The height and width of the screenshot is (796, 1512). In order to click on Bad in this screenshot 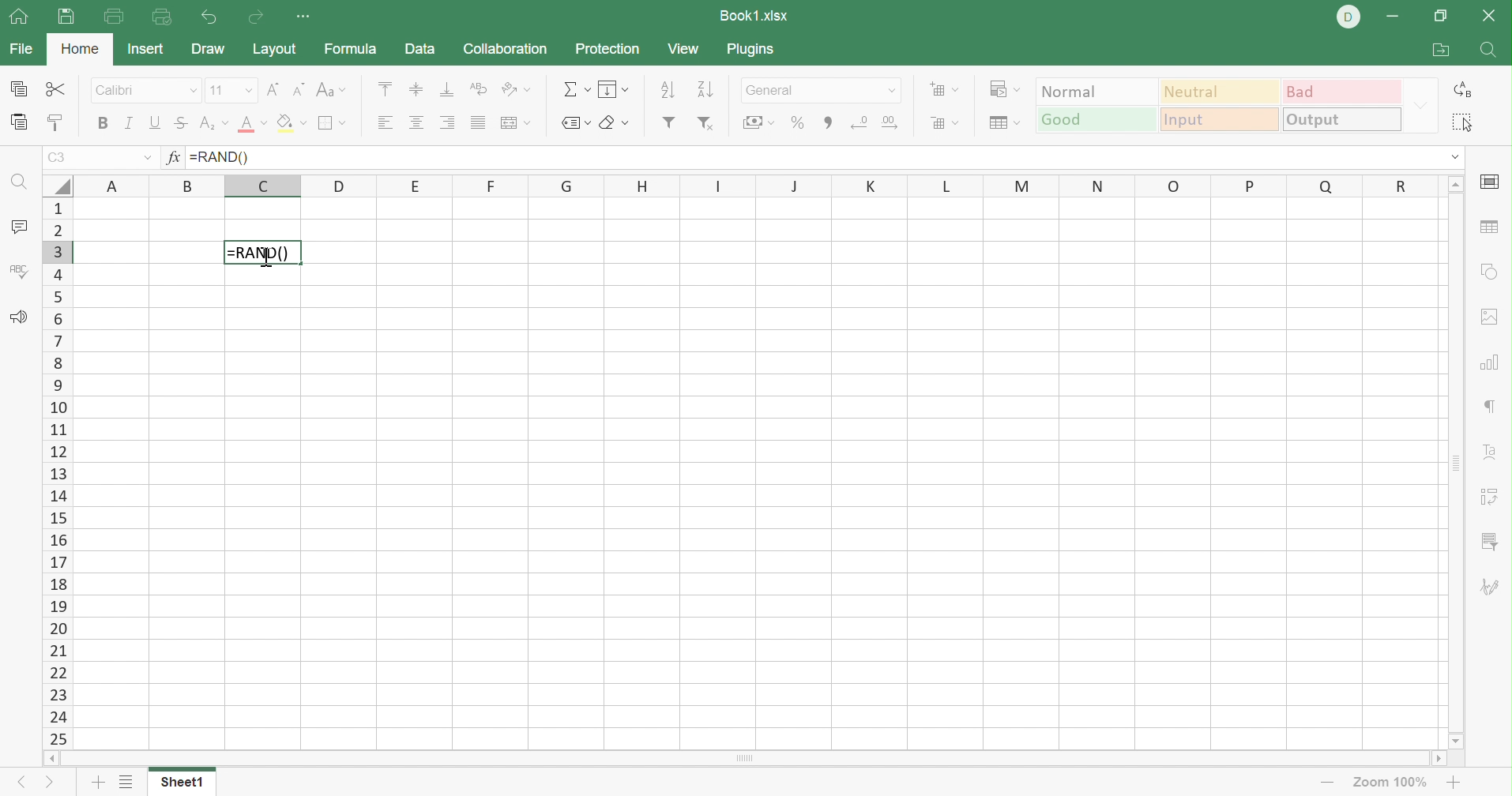, I will do `click(1342, 91)`.